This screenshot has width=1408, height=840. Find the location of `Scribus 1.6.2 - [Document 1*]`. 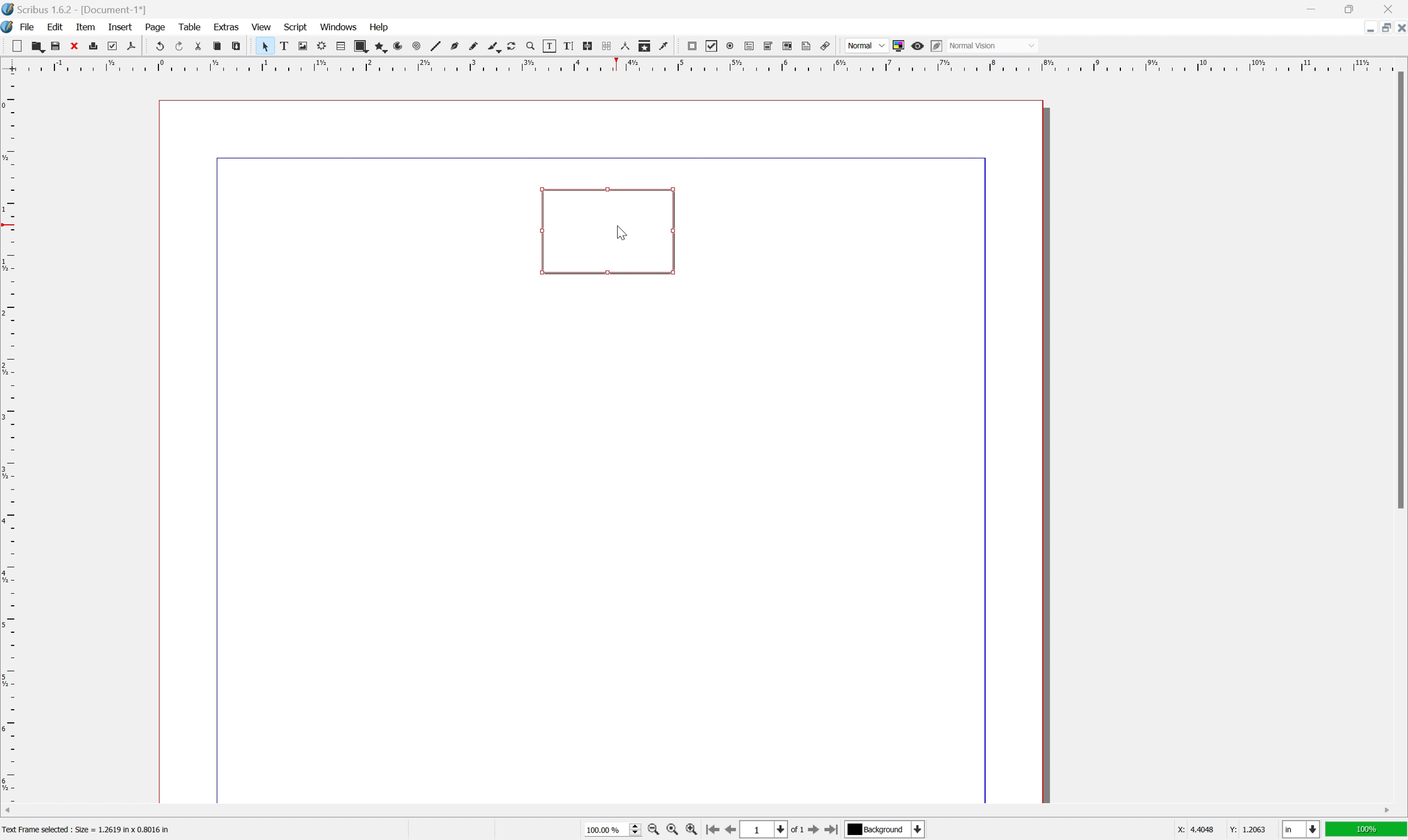

Scribus 1.6.2 - [Document 1*] is located at coordinates (88, 11).